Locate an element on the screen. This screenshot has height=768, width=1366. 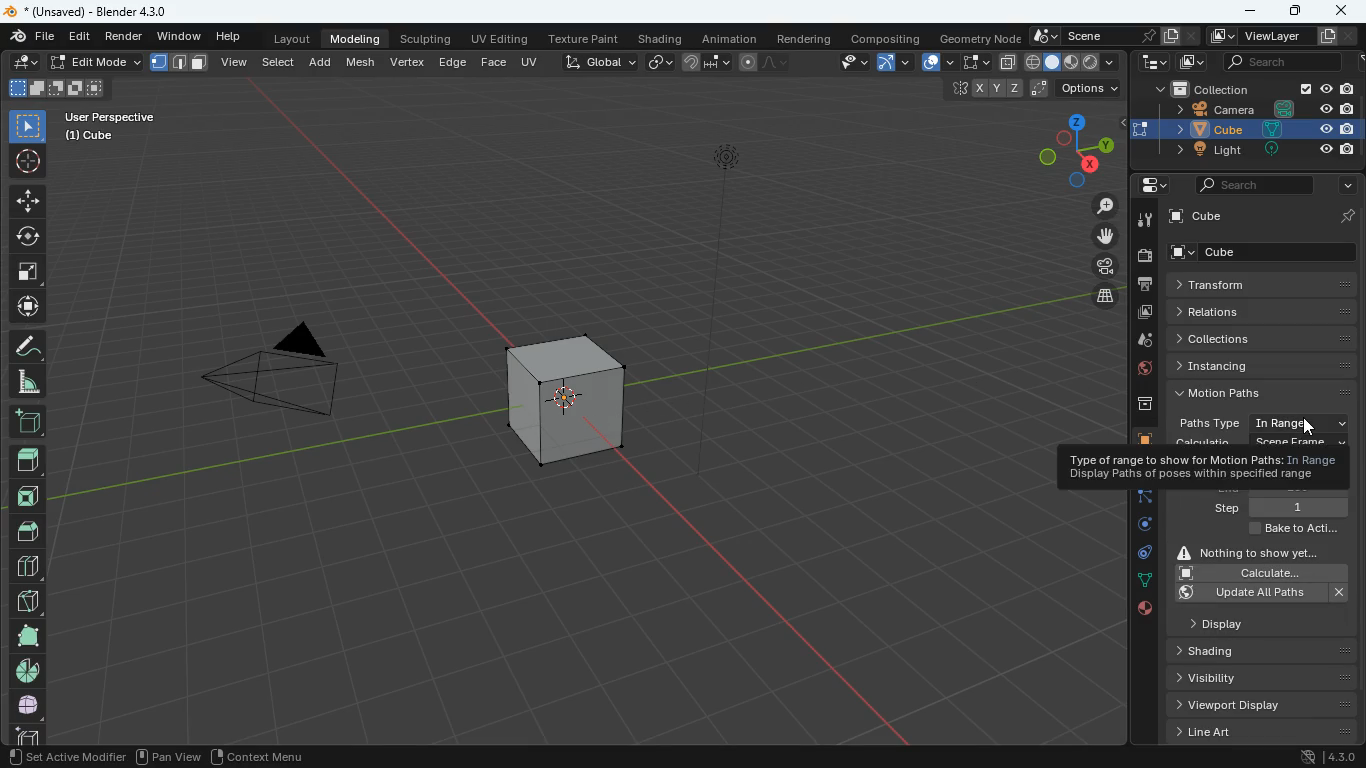
cube is located at coordinates (1268, 252).